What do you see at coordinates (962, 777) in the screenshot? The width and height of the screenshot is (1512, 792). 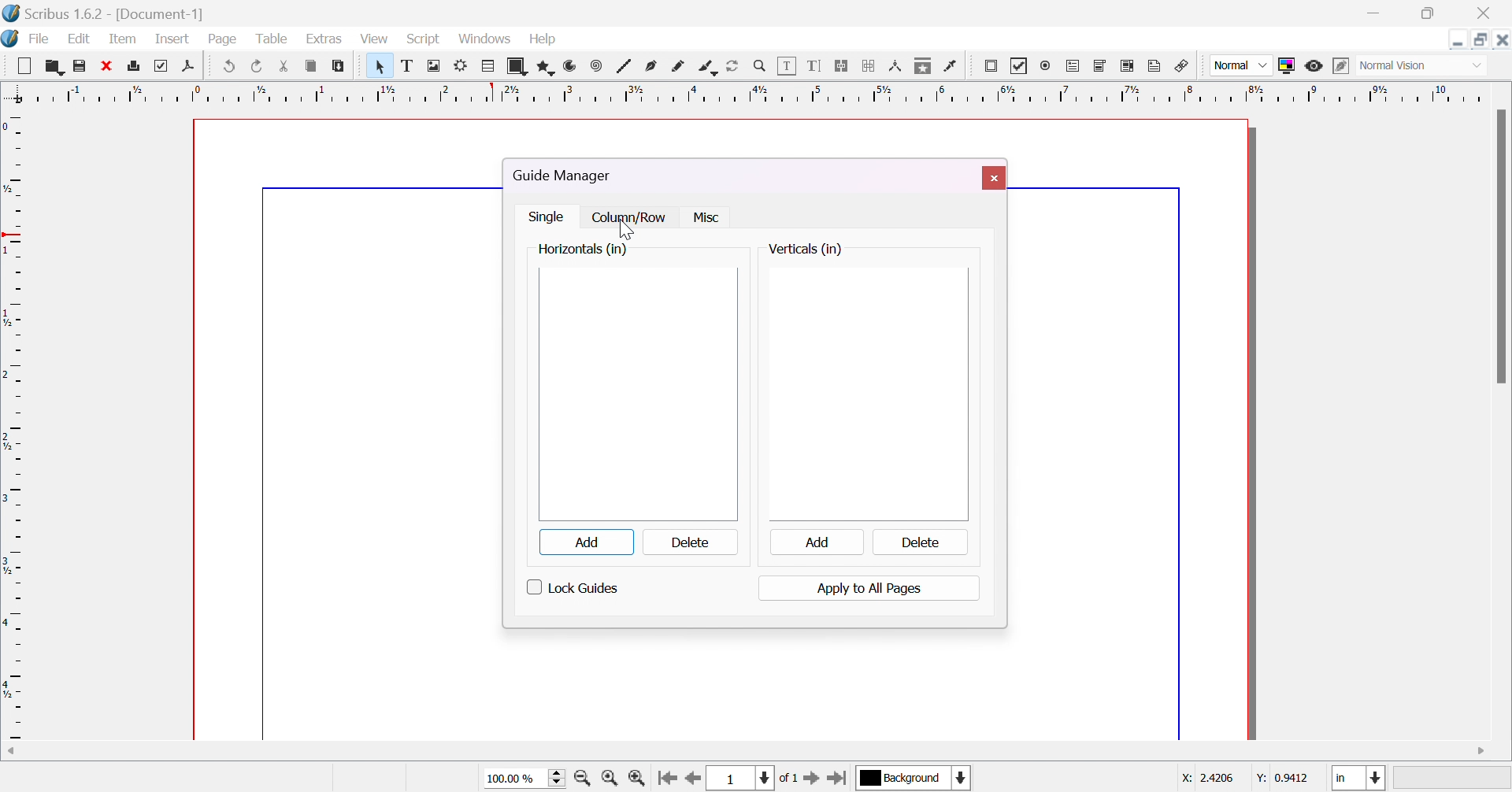 I see `select current layer` at bounding box center [962, 777].